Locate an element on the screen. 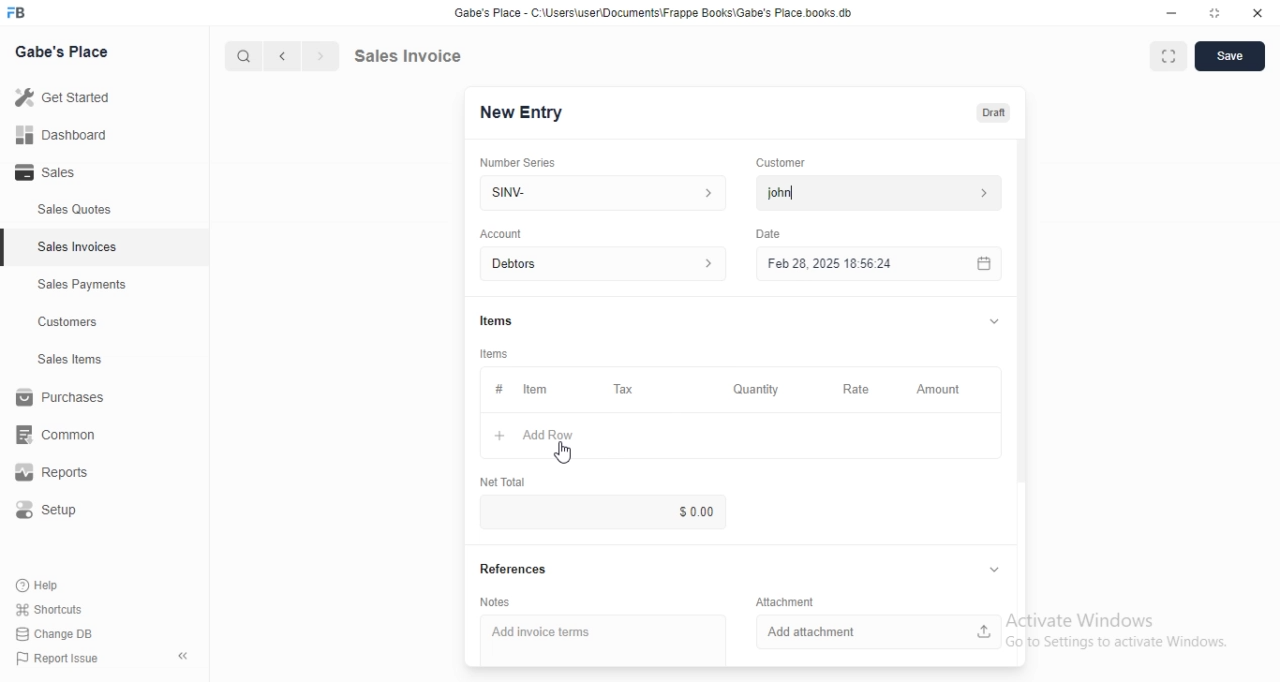 This screenshot has width=1280, height=682. Sales Items is located at coordinates (61, 360).